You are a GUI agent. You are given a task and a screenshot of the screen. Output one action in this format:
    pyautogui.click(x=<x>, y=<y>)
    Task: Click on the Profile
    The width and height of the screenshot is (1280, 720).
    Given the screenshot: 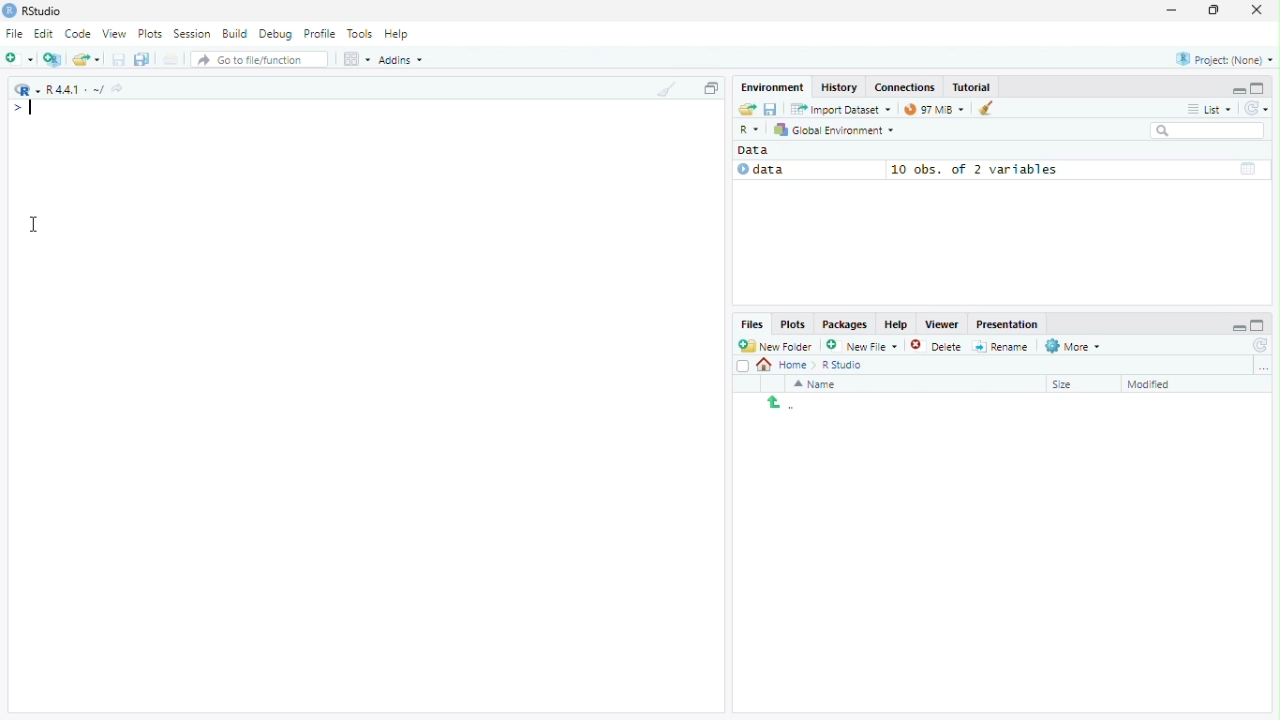 What is the action you would take?
    pyautogui.click(x=323, y=34)
    